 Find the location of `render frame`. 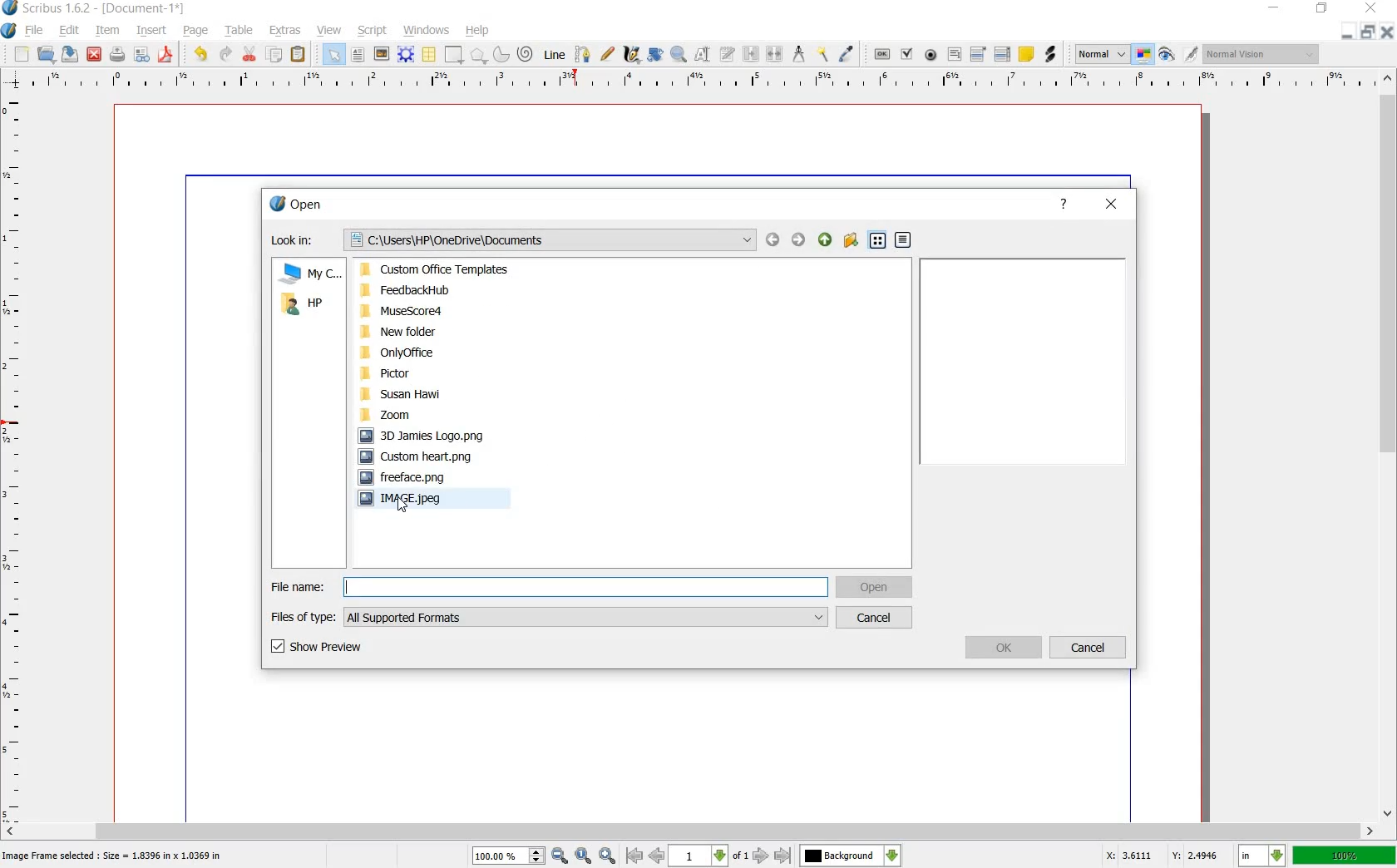

render frame is located at coordinates (403, 53).